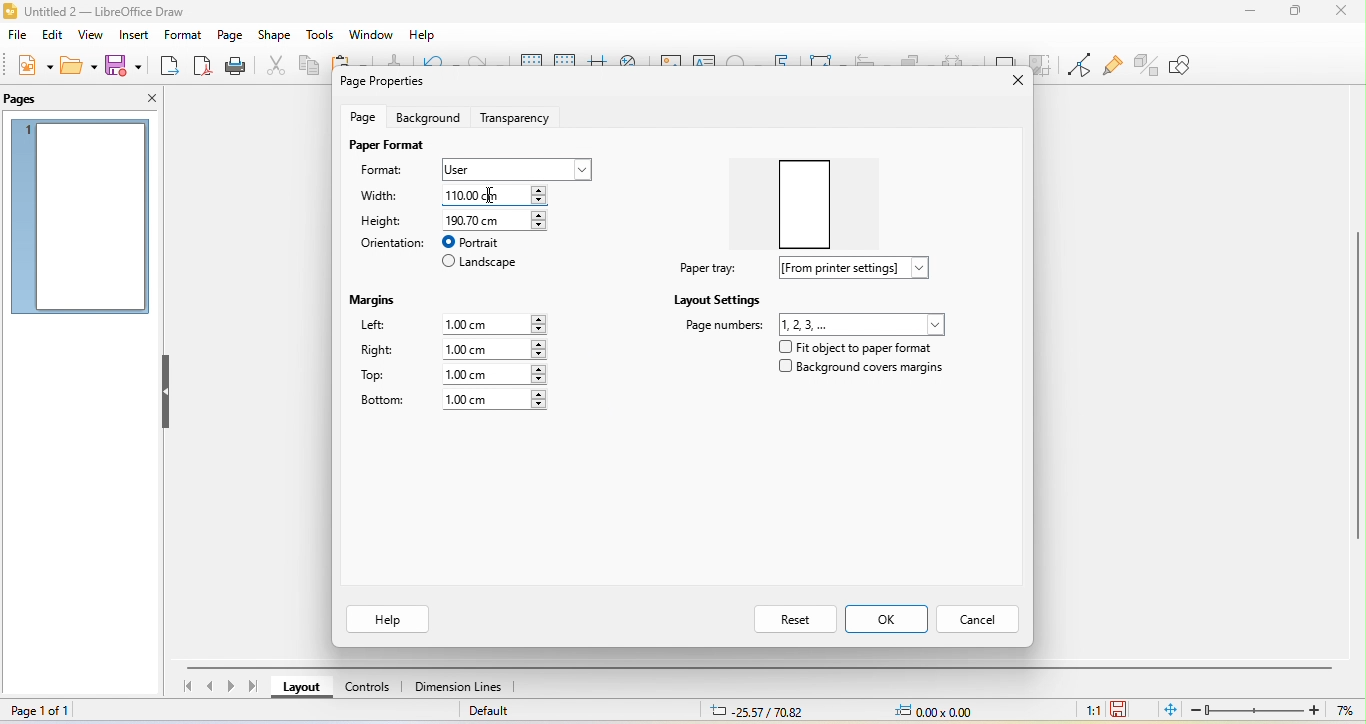 This screenshot has height=724, width=1366. Describe the element at coordinates (1276, 710) in the screenshot. I see `zoom` at that location.